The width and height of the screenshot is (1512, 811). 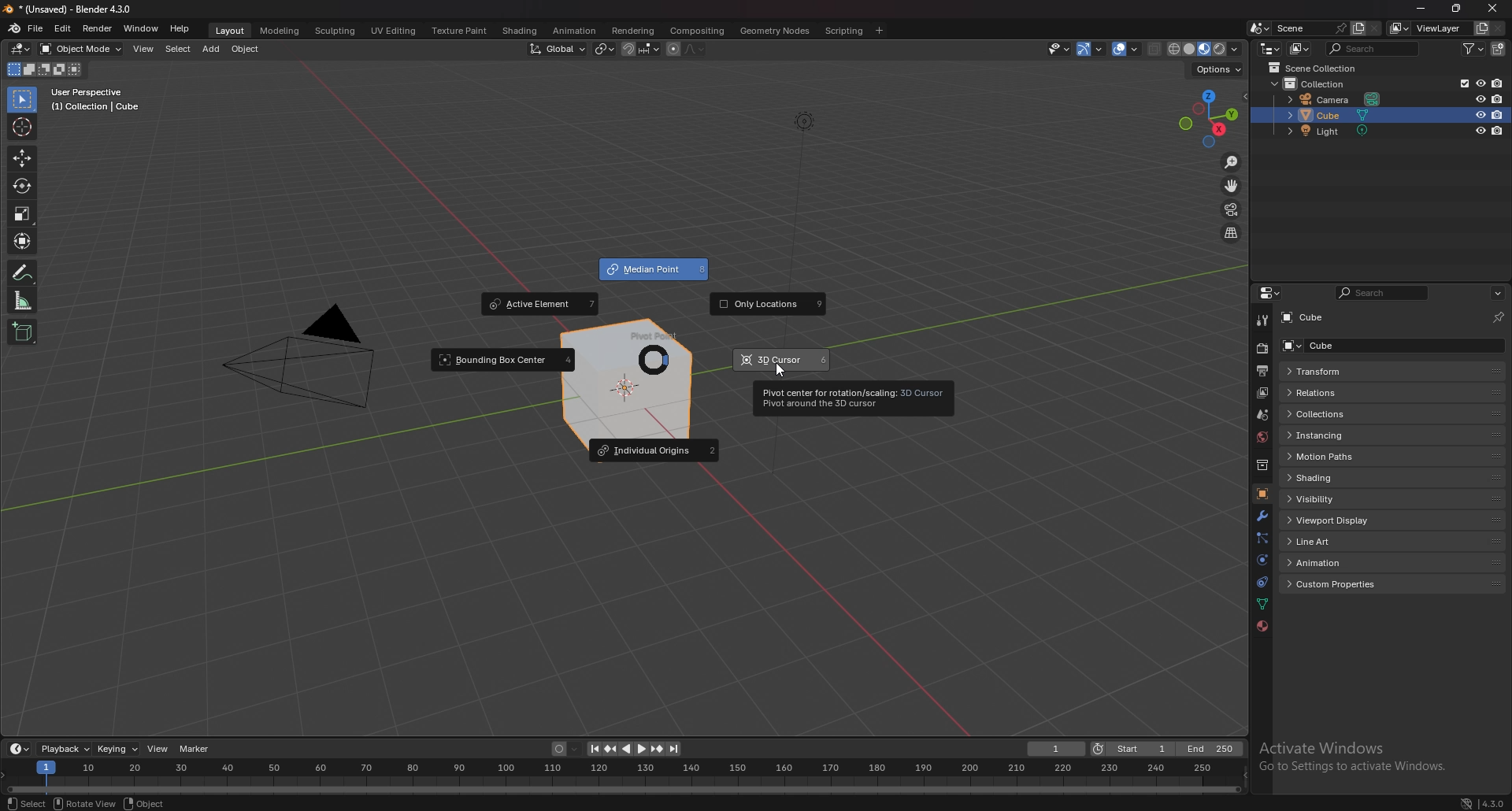 What do you see at coordinates (855, 396) in the screenshot?
I see `tooltip` at bounding box center [855, 396].